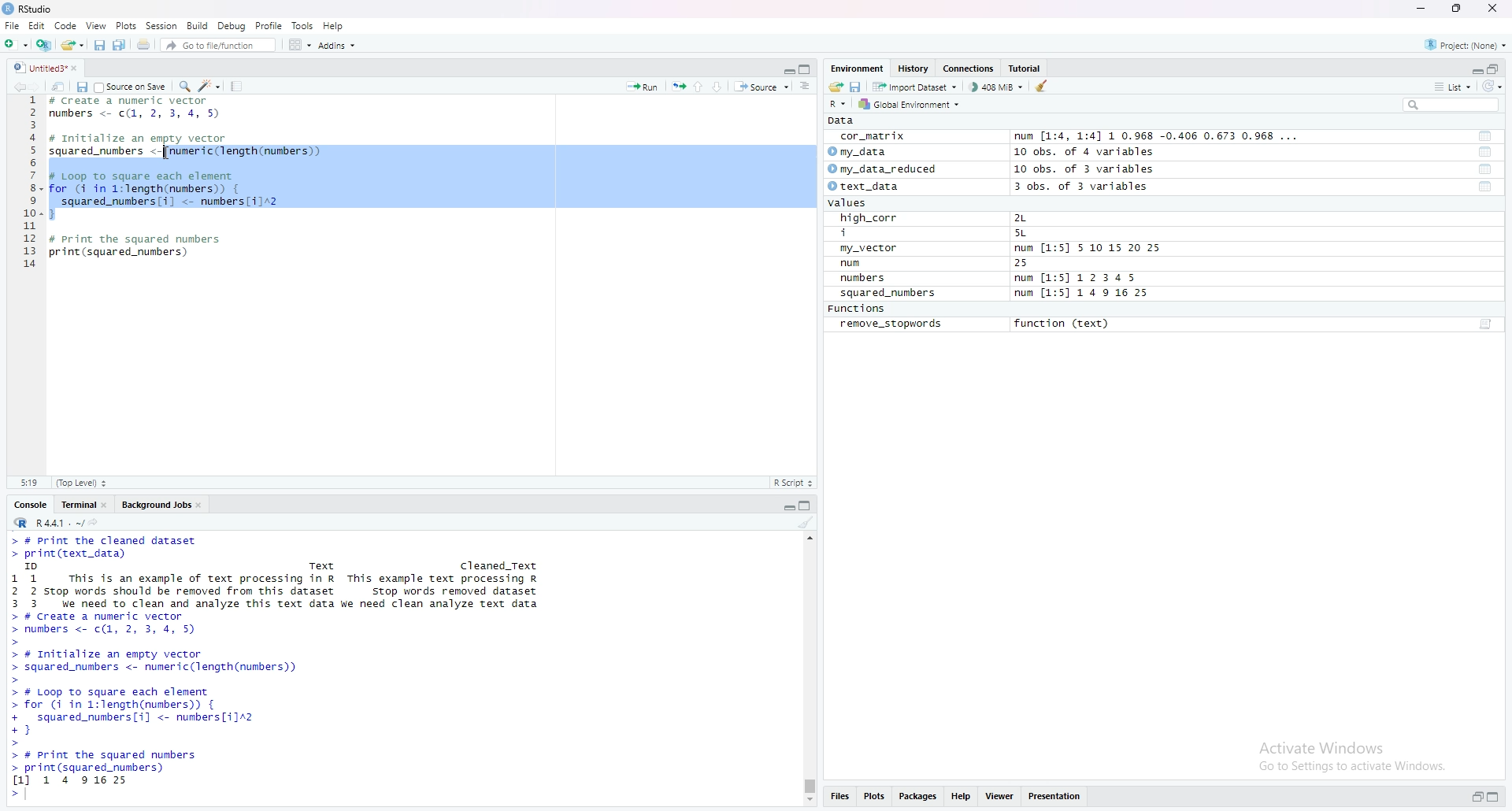  Describe the element at coordinates (787, 68) in the screenshot. I see `minimize` at that location.